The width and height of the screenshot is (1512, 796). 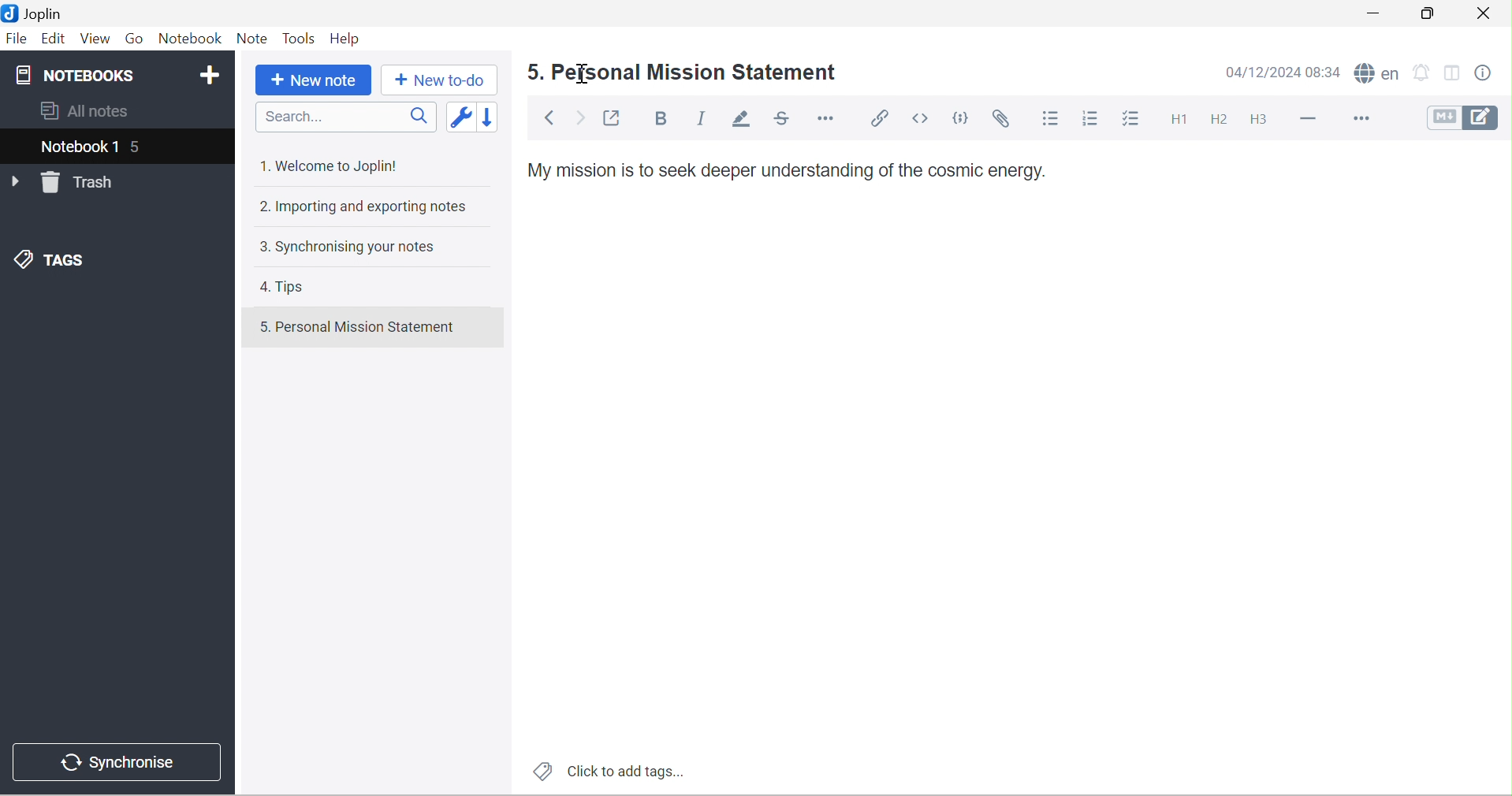 What do you see at coordinates (1095, 120) in the screenshot?
I see `Numbered list` at bounding box center [1095, 120].